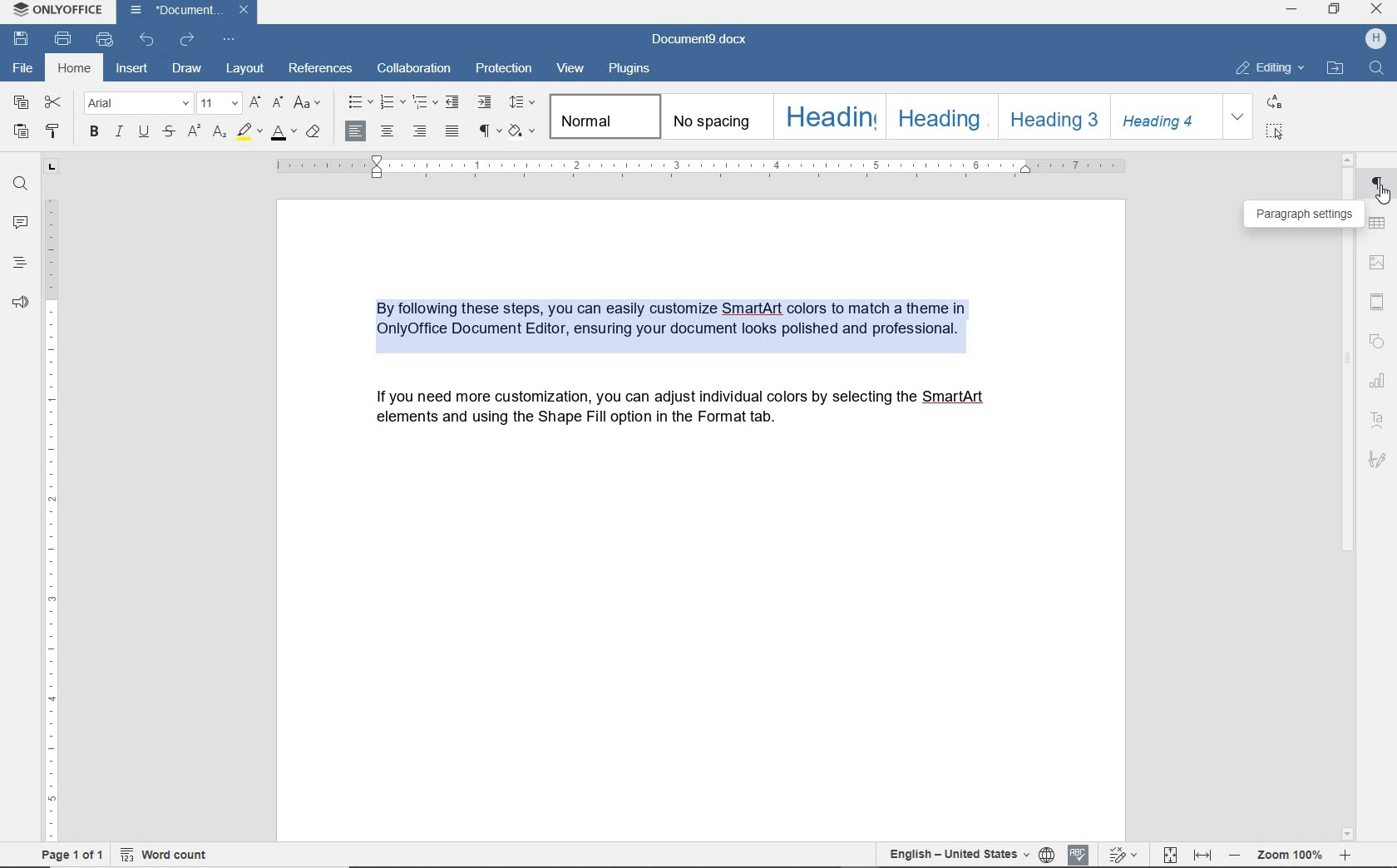 This screenshot has height=868, width=1397. Describe the element at coordinates (187, 69) in the screenshot. I see `draw` at that location.